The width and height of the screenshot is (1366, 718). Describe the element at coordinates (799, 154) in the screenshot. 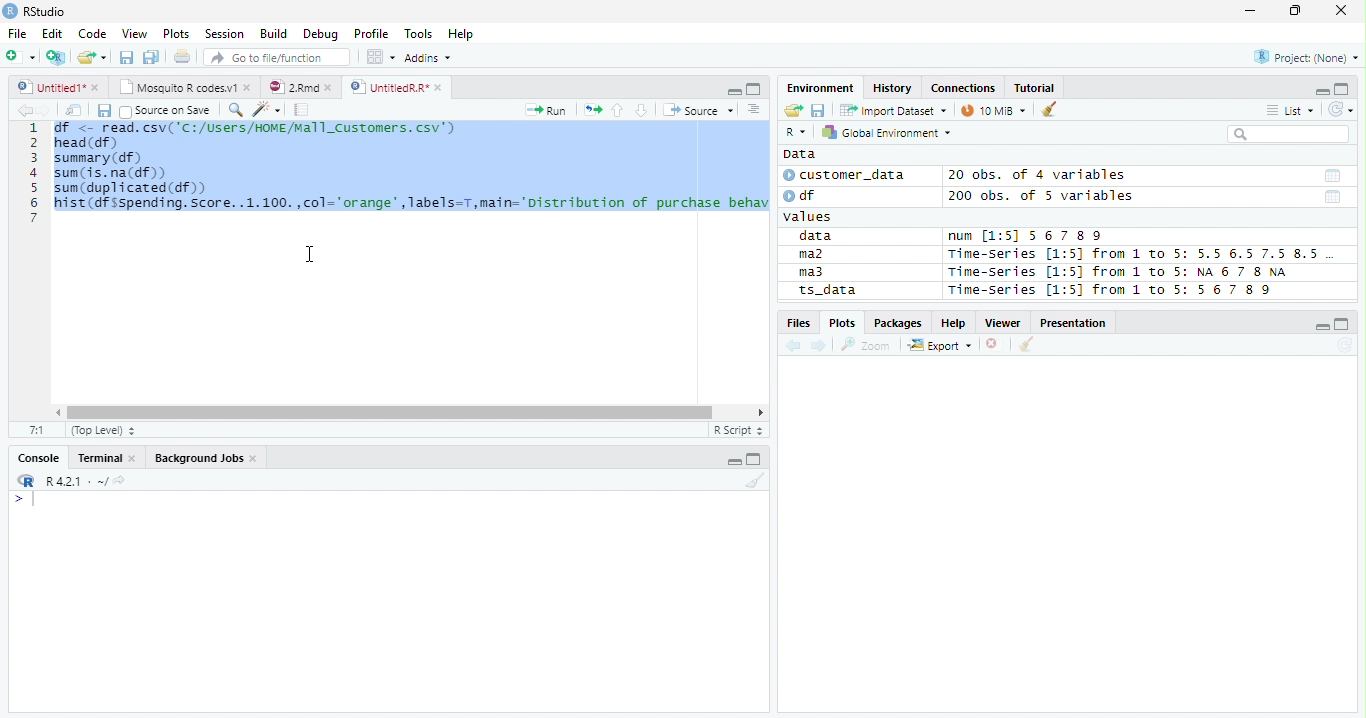

I see `Data` at that location.